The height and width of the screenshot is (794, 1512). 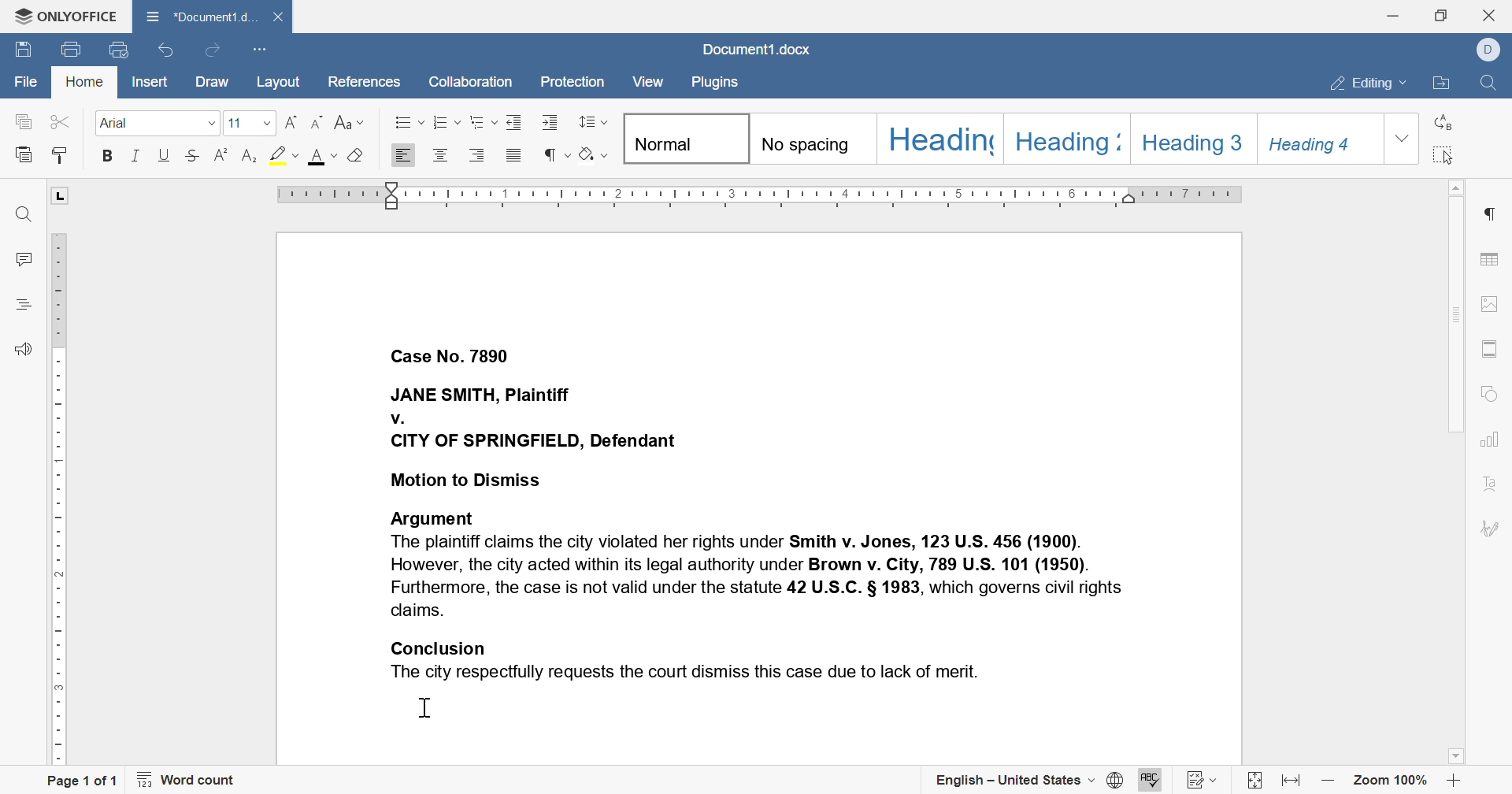 I want to click on home, so click(x=83, y=83).